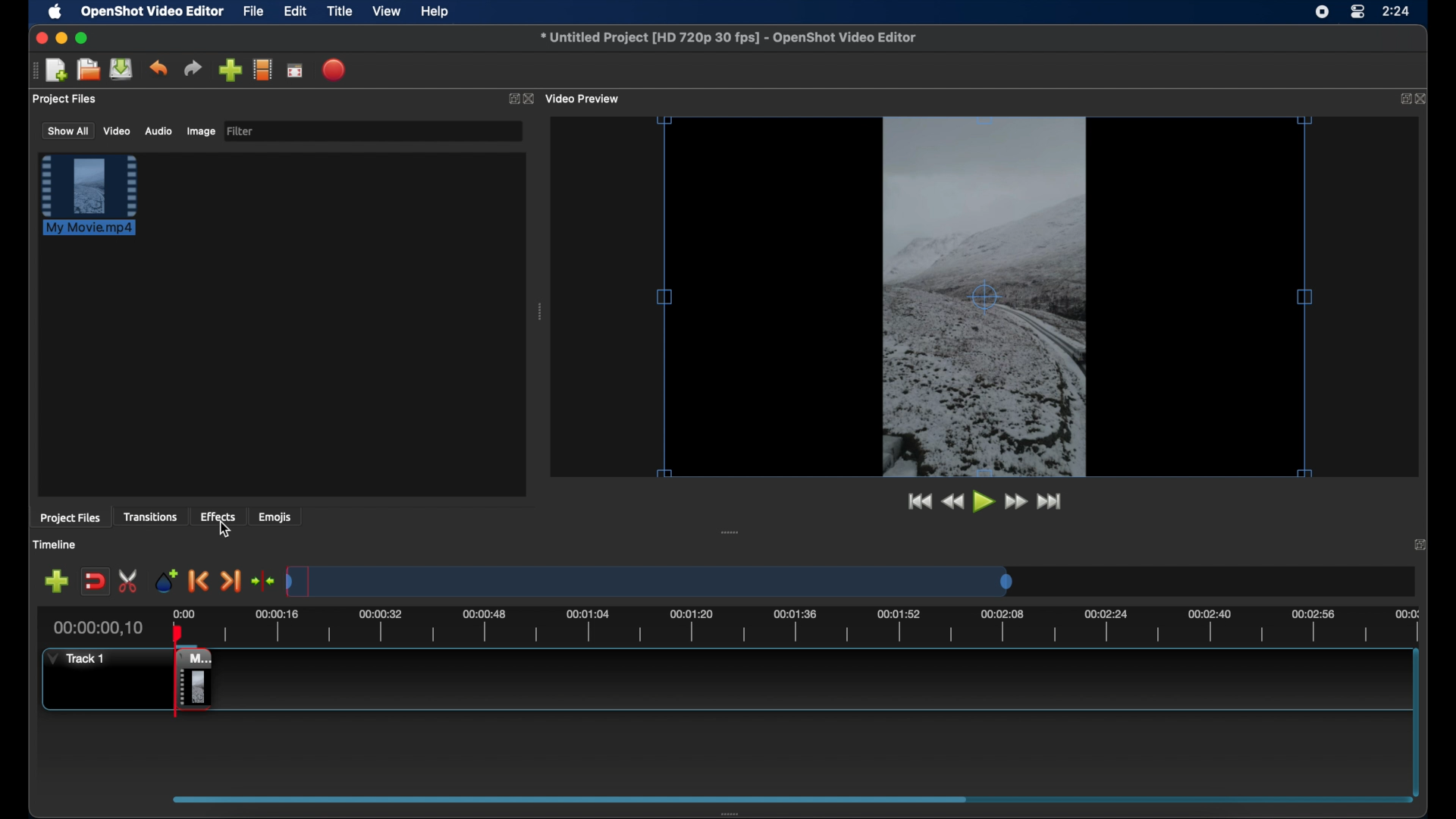 The height and width of the screenshot is (819, 1456). What do you see at coordinates (572, 799) in the screenshot?
I see `scroll box` at bounding box center [572, 799].